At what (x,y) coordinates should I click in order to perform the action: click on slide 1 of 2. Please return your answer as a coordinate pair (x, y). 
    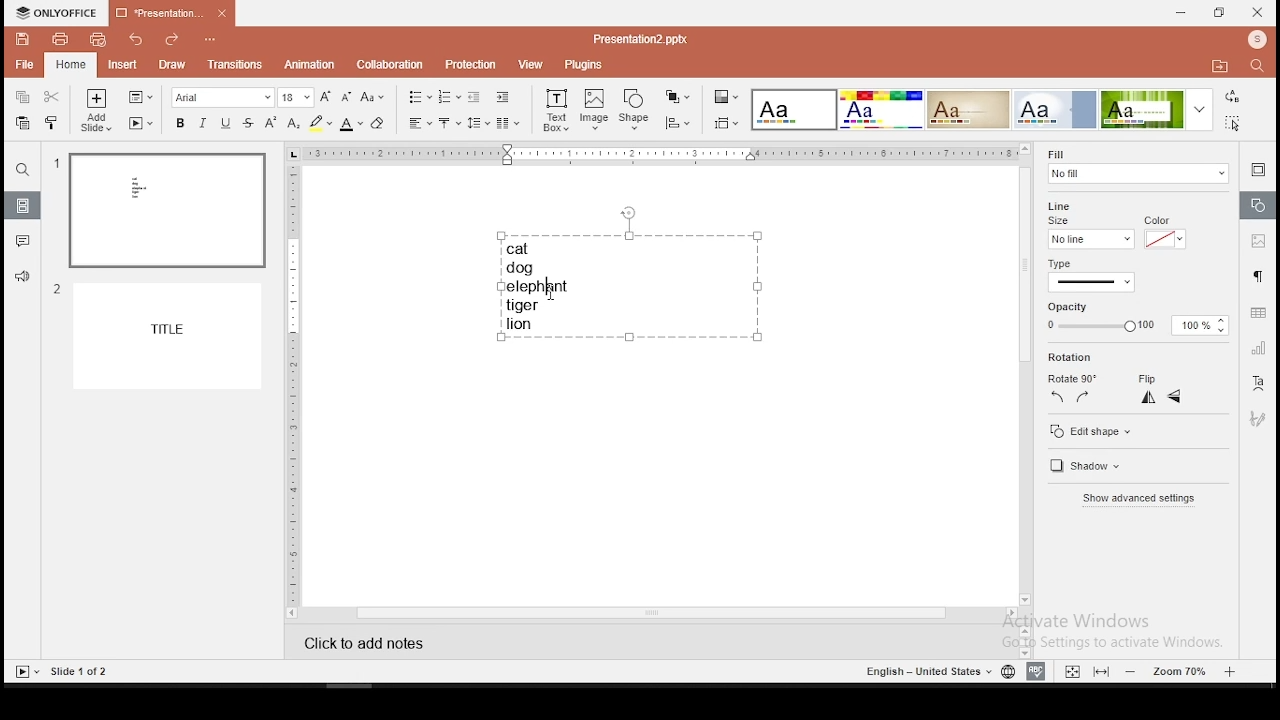
    Looking at the image, I should click on (76, 673).